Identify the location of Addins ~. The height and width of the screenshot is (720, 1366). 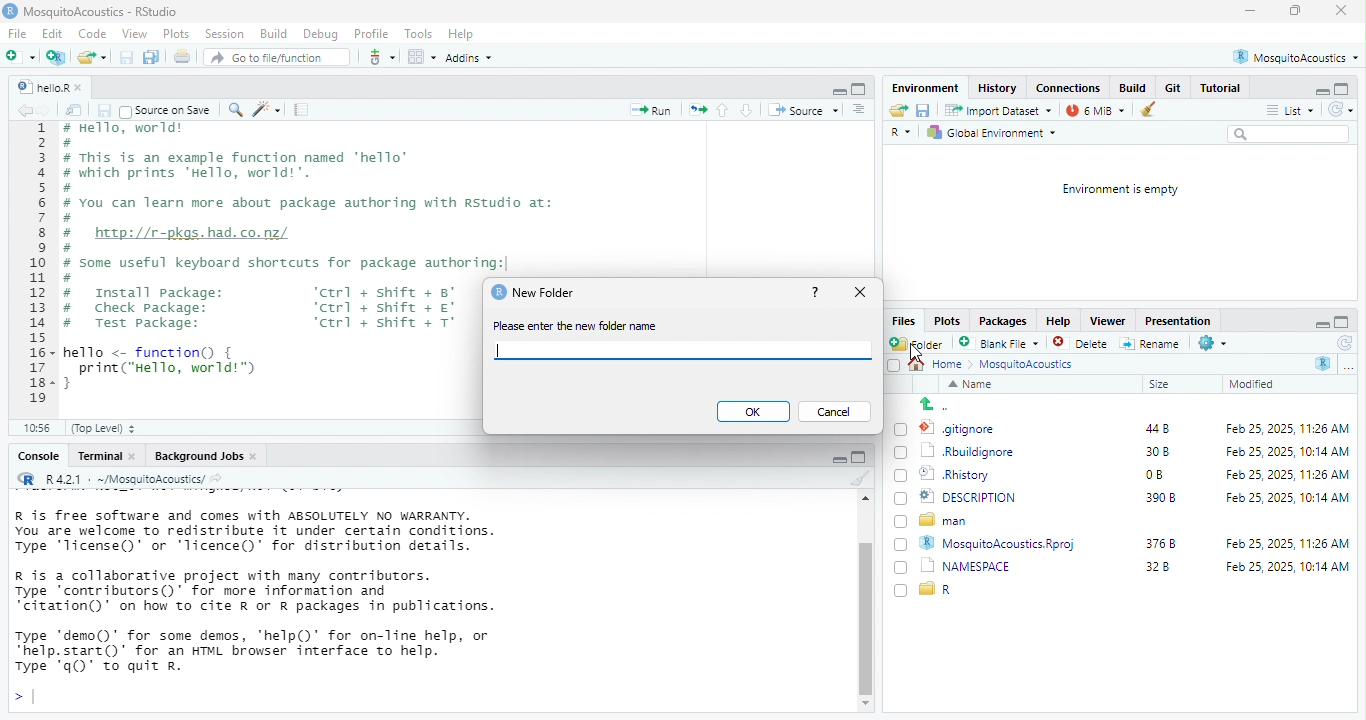
(473, 58).